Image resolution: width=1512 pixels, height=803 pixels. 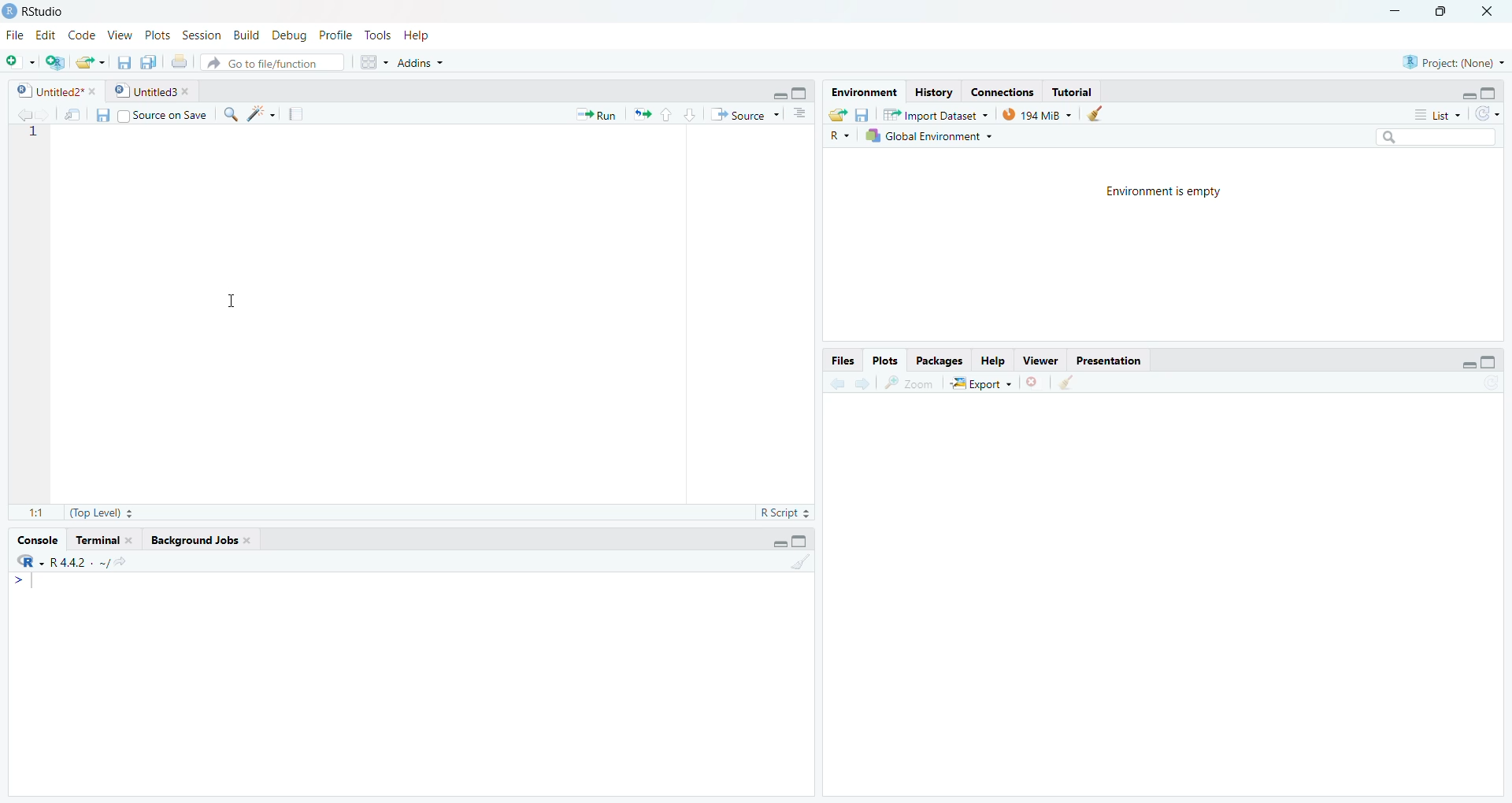 I want to click on Console, so click(x=33, y=541).